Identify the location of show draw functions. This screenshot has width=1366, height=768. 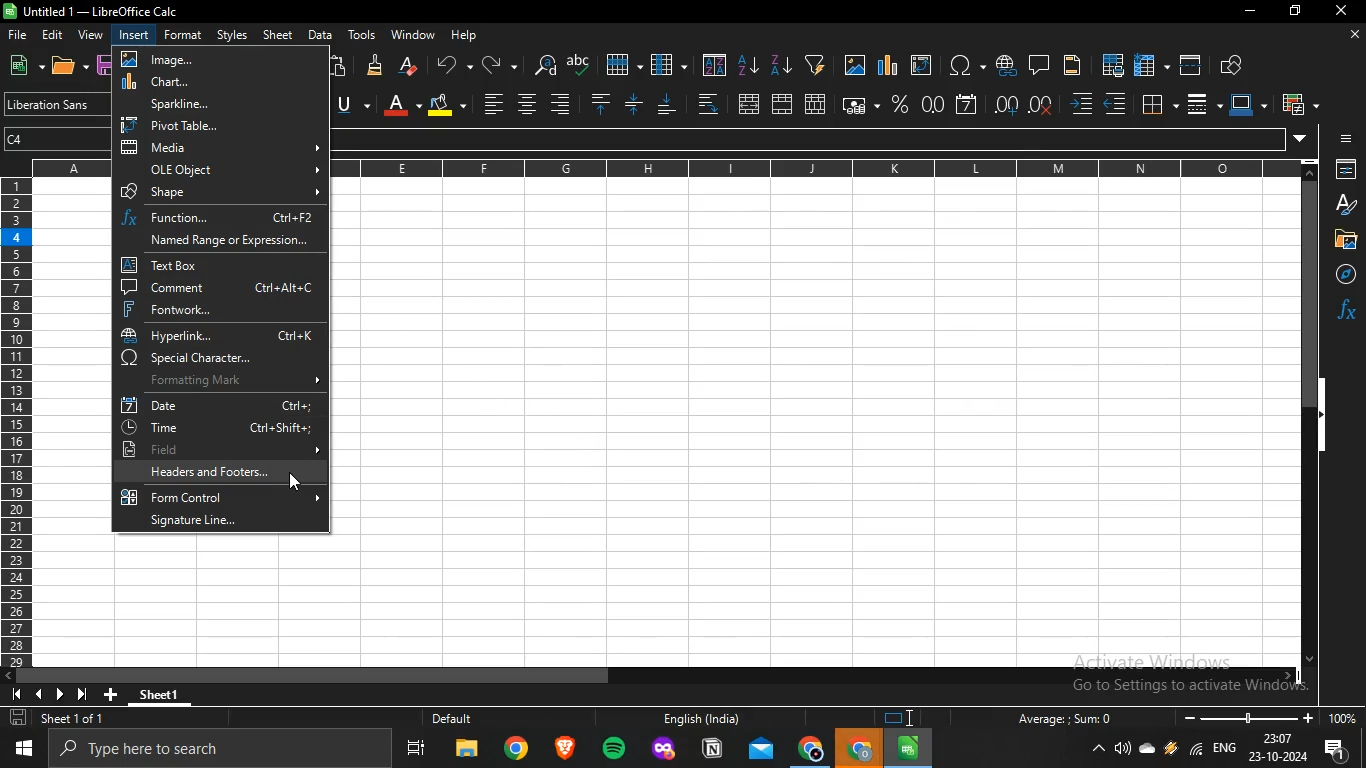
(1233, 63).